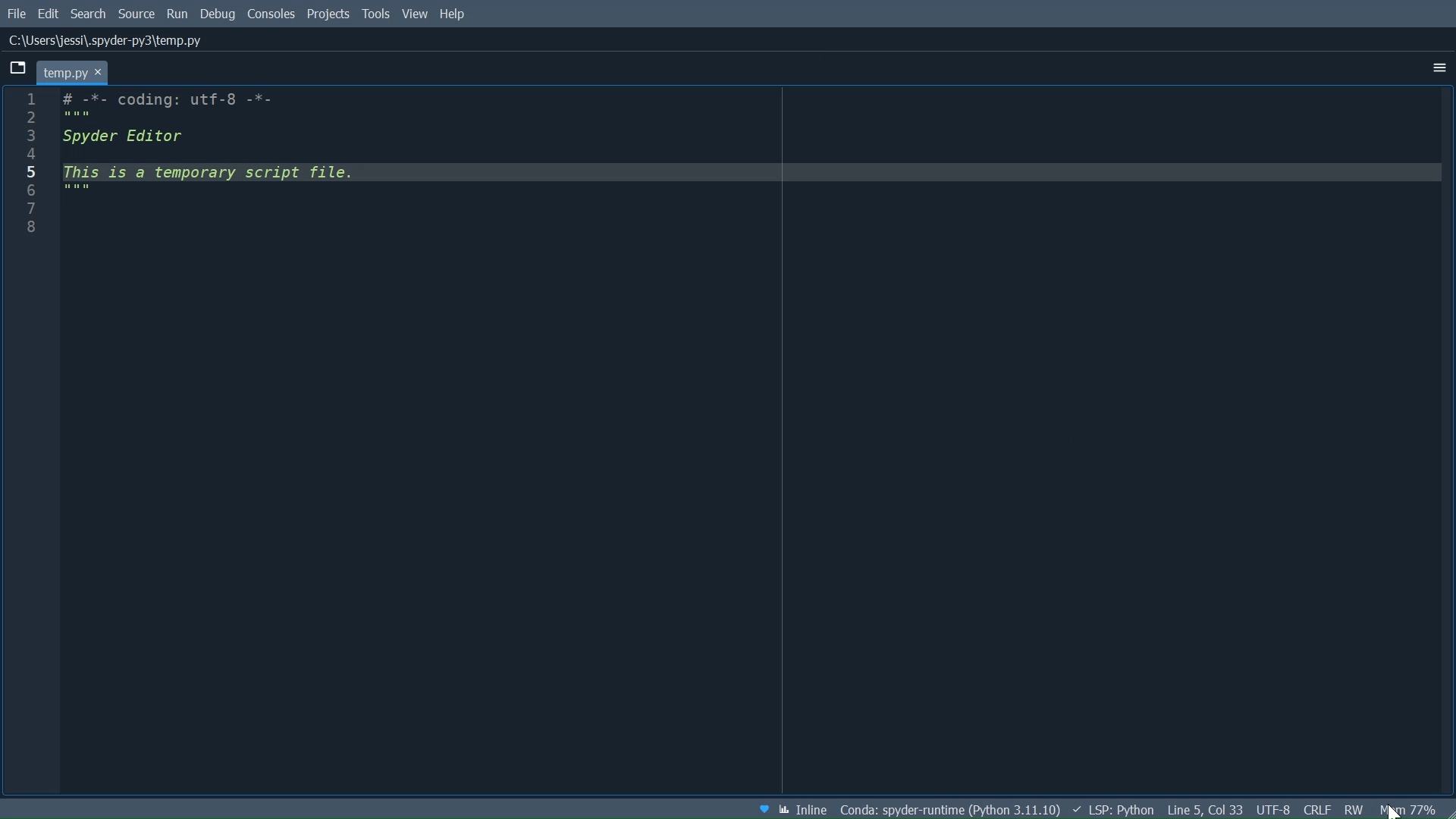 This screenshot has width=1456, height=819. Describe the element at coordinates (49, 14) in the screenshot. I see `Edit` at that location.